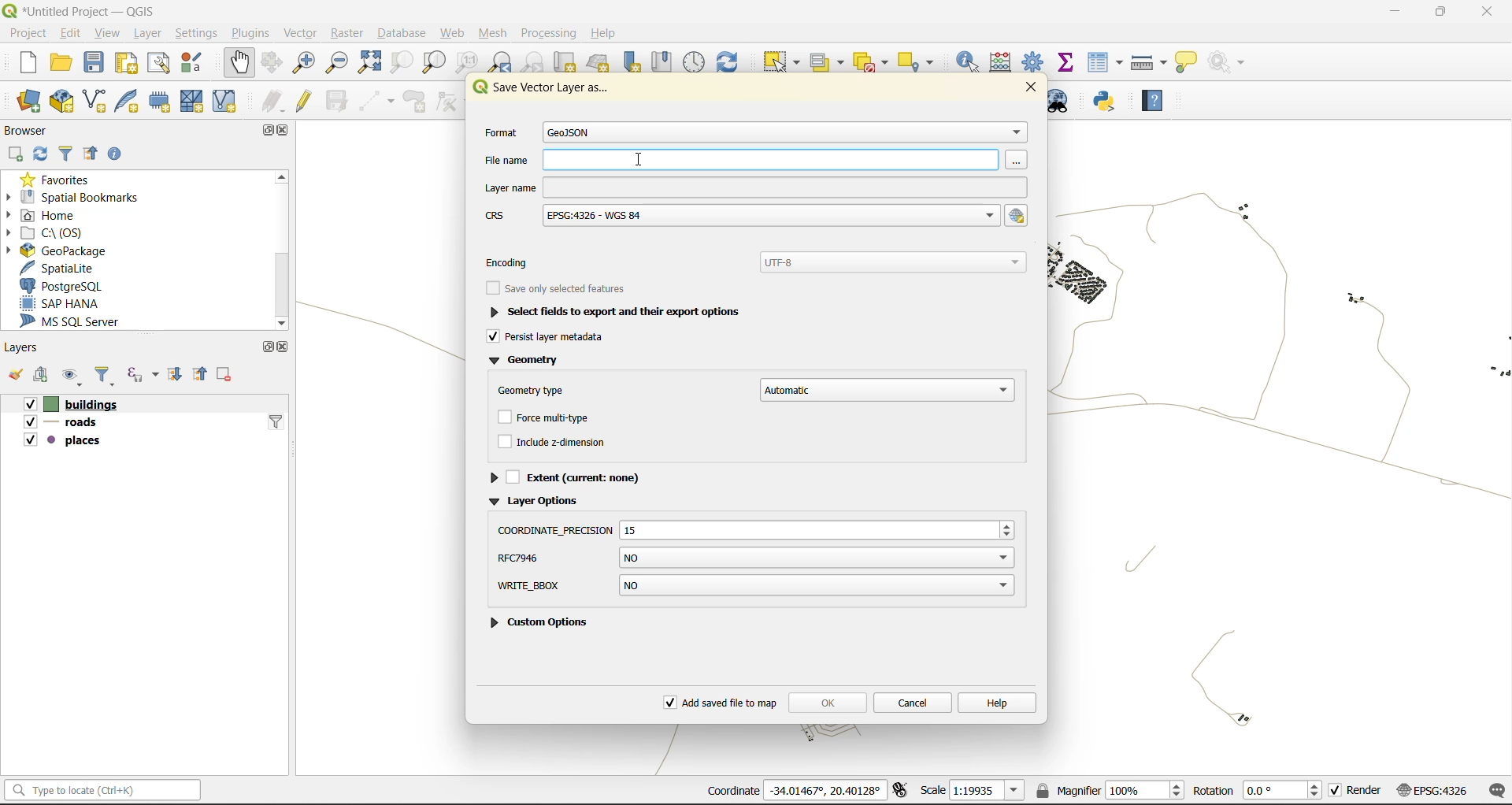 The width and height of the screenshot is (1512, 805). Describe the element at coordinates (198, 32) in the screenshot. I see `settings` at that location.